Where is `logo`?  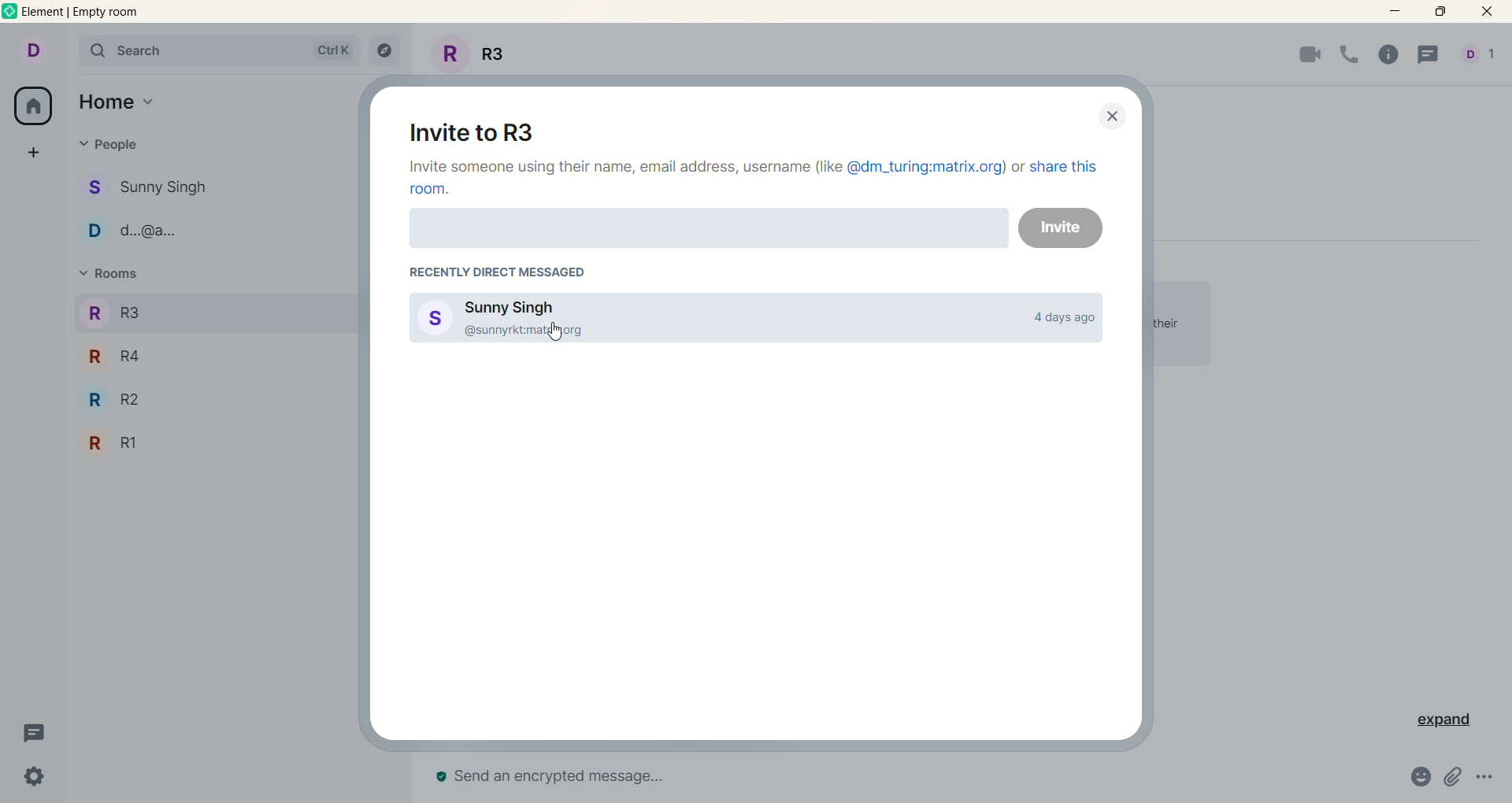
logo is located at coordinates (10, 11).